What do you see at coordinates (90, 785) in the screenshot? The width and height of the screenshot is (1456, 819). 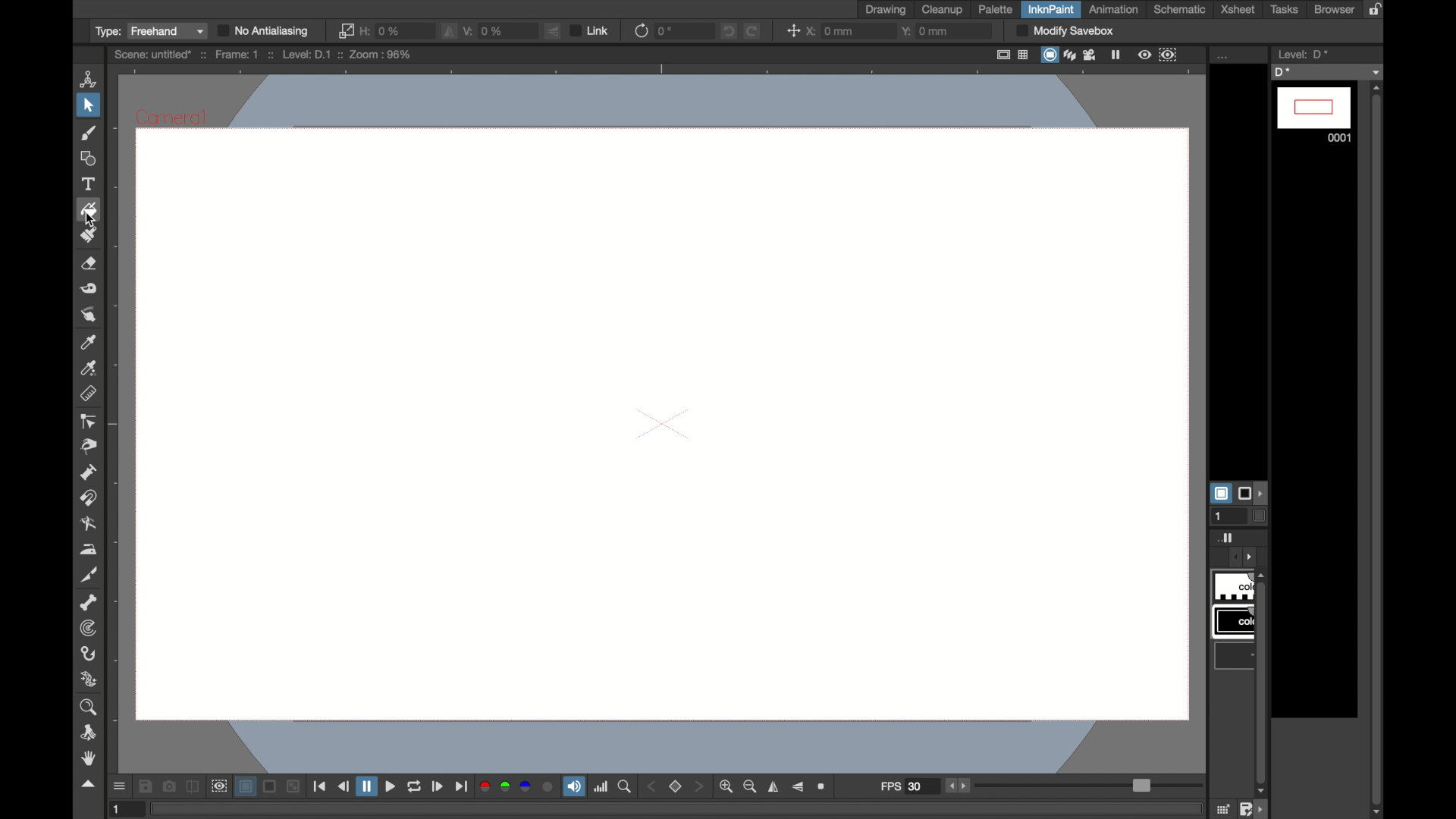 I see `drag handle` at bounding box center [90, 785].